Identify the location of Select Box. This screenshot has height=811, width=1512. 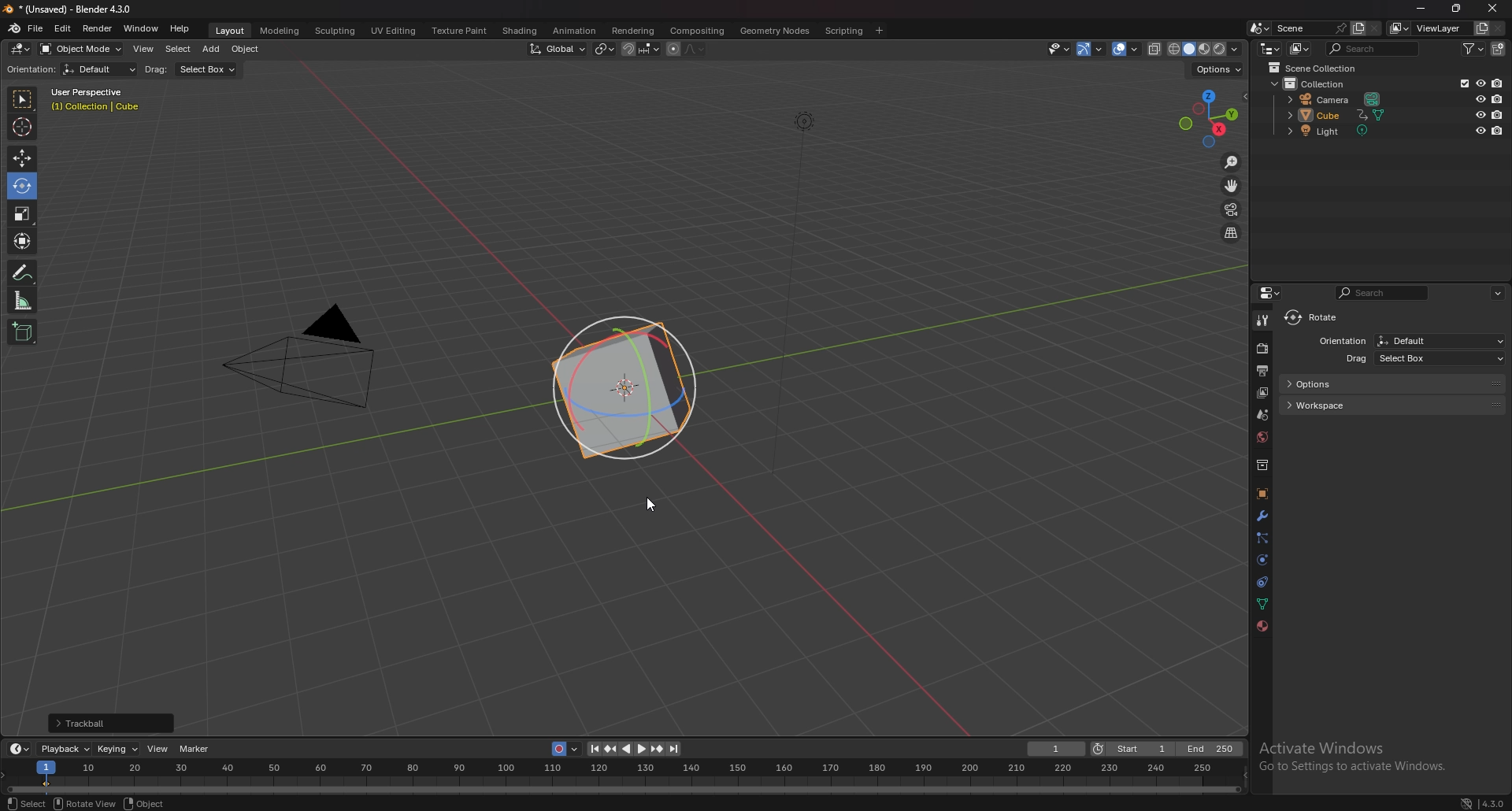
(1444, 358).